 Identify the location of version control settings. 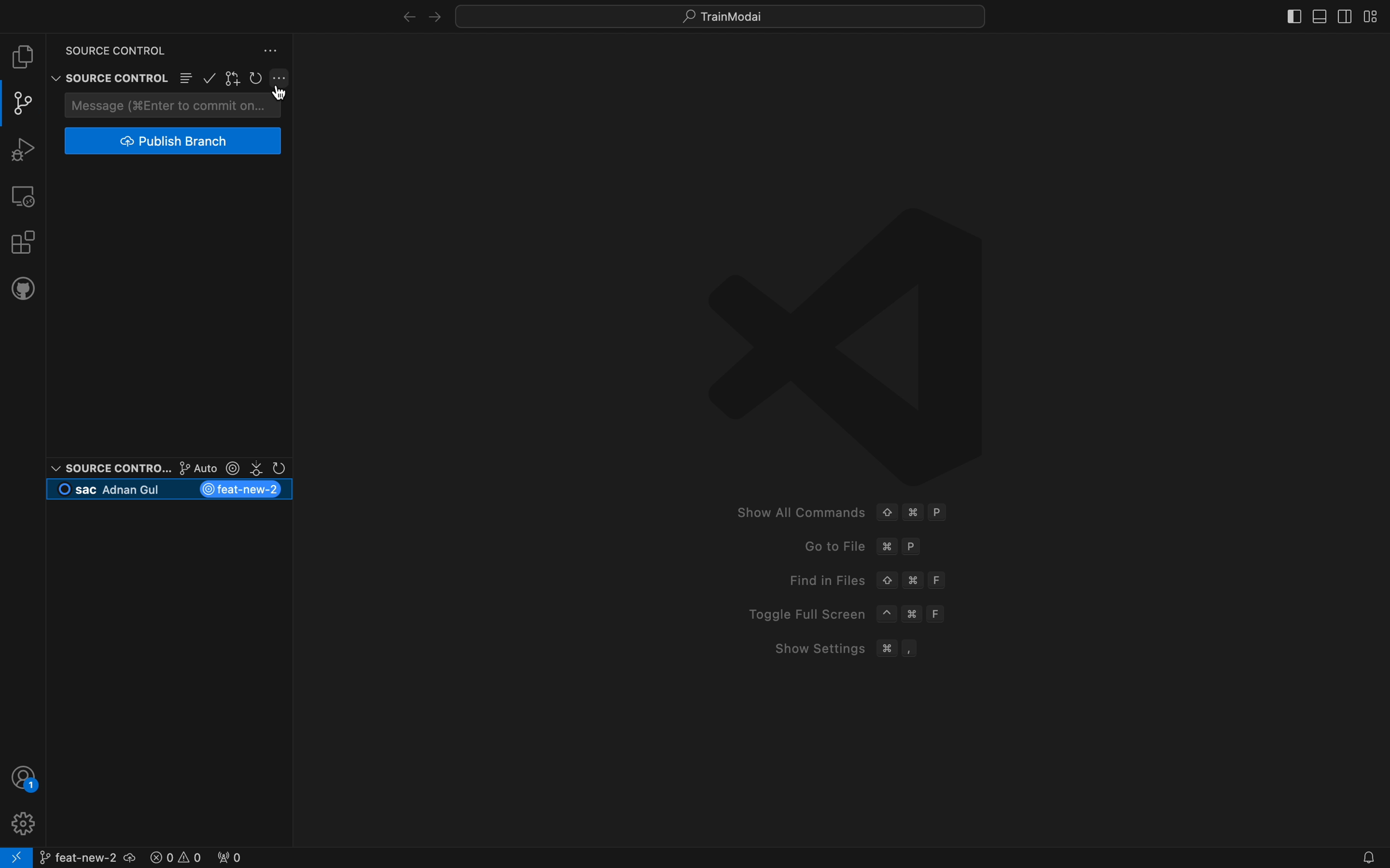
(272, 51).